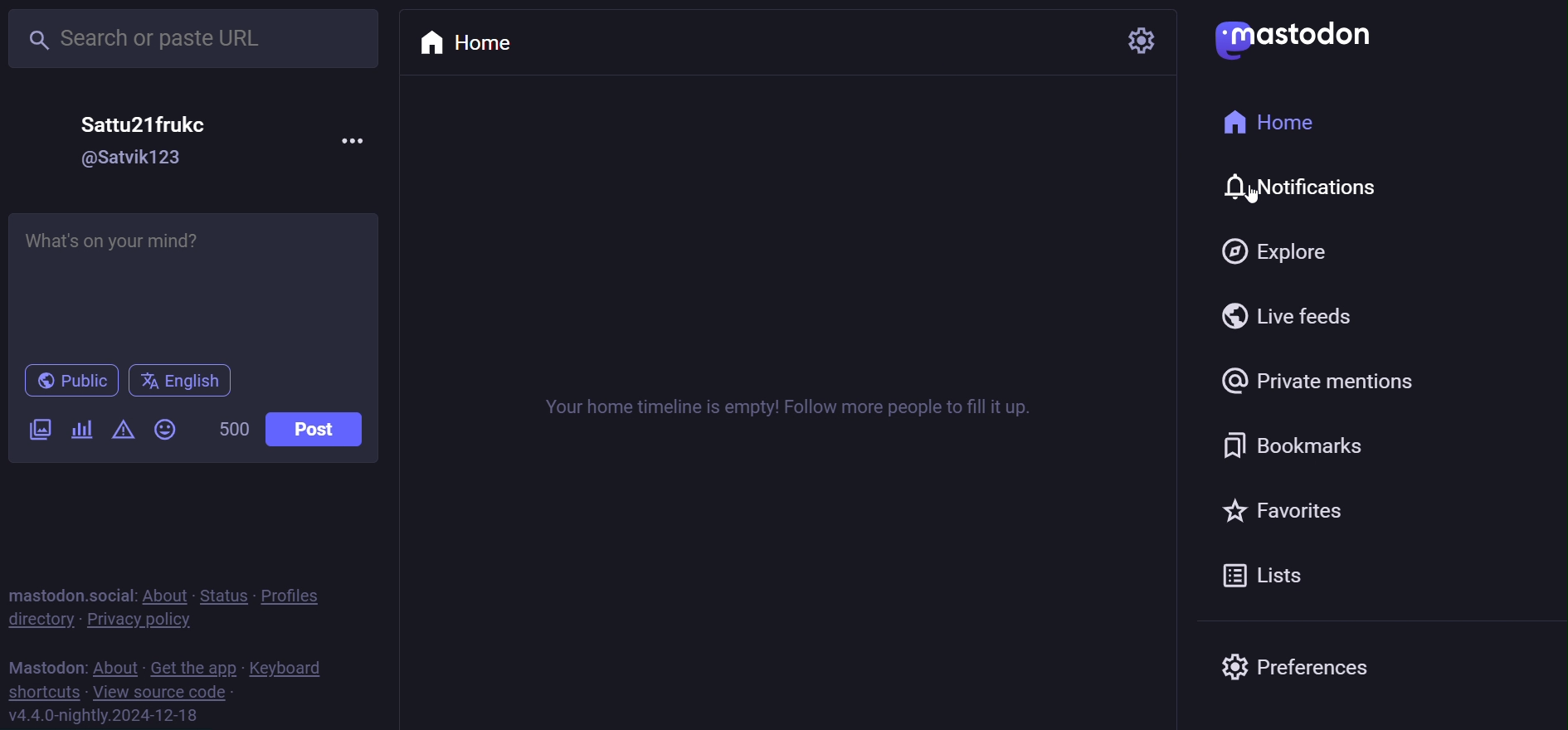  What do you see at coordinates (1297, 672) in the screenshot?
I see `preferences` at bounding box center [1297, 672].